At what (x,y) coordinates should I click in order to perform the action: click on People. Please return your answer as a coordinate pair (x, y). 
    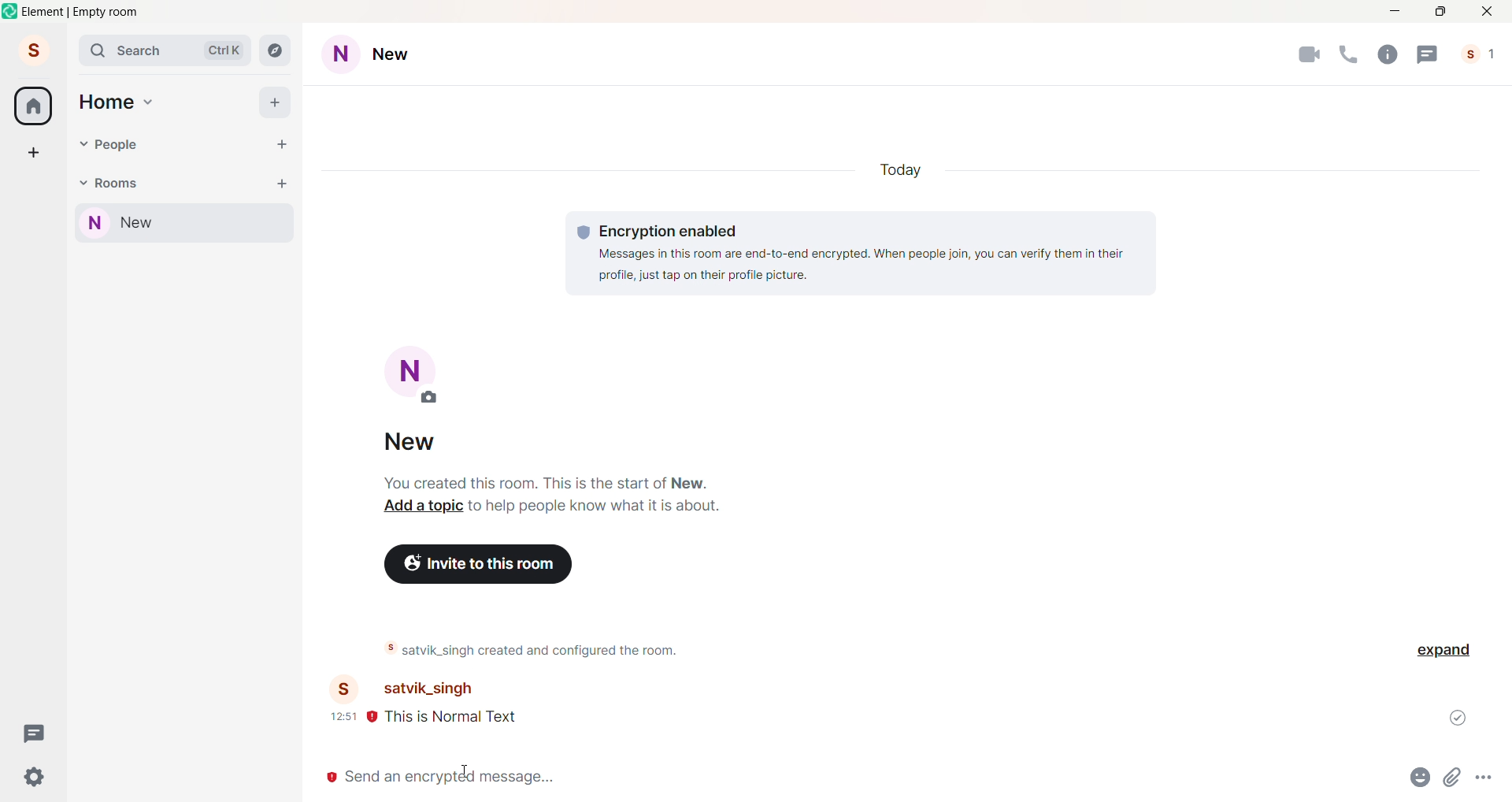
    Looking at the image, I should click on (120, 145).